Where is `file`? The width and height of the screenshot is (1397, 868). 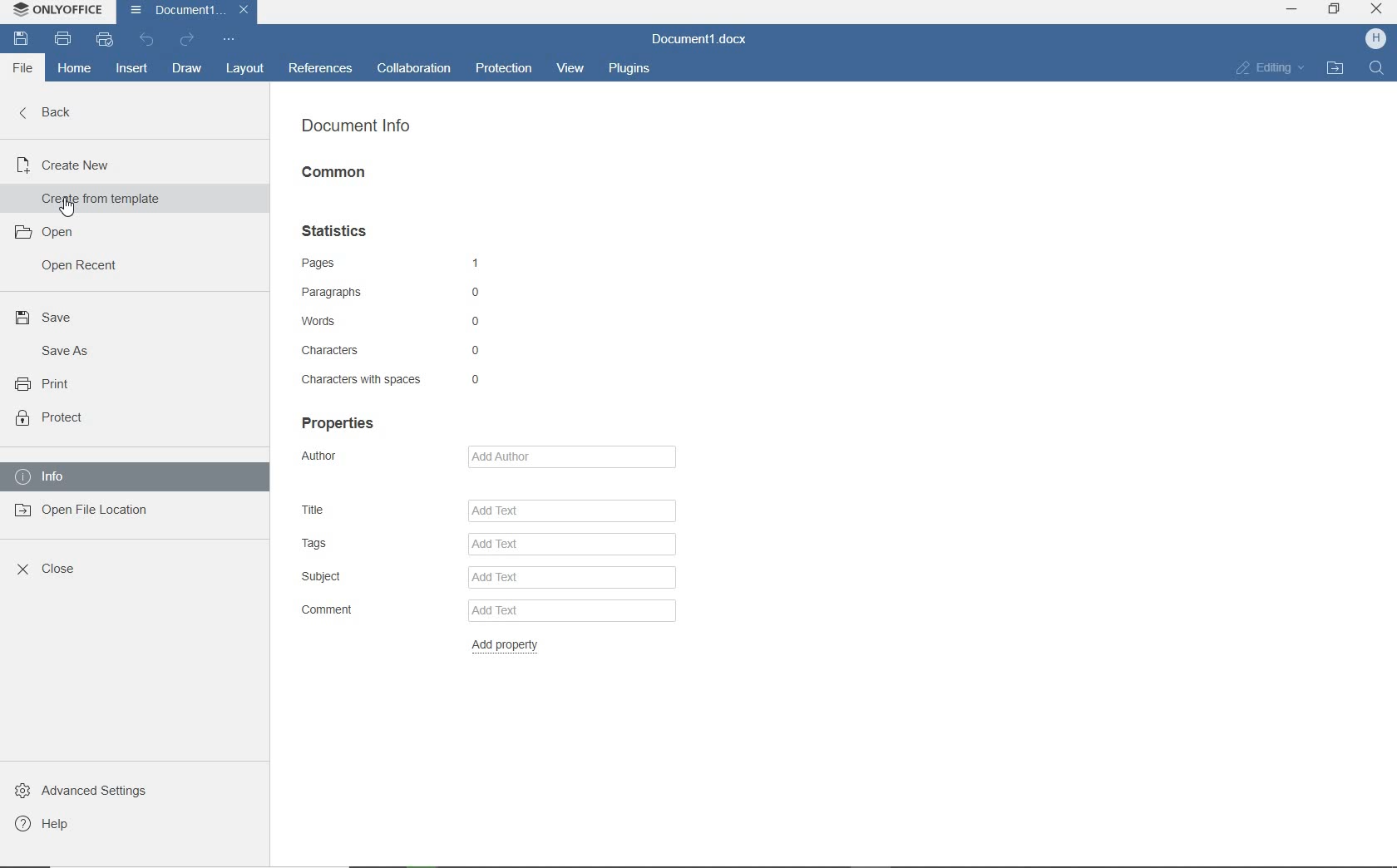
file is located at coordinates (21, 67).